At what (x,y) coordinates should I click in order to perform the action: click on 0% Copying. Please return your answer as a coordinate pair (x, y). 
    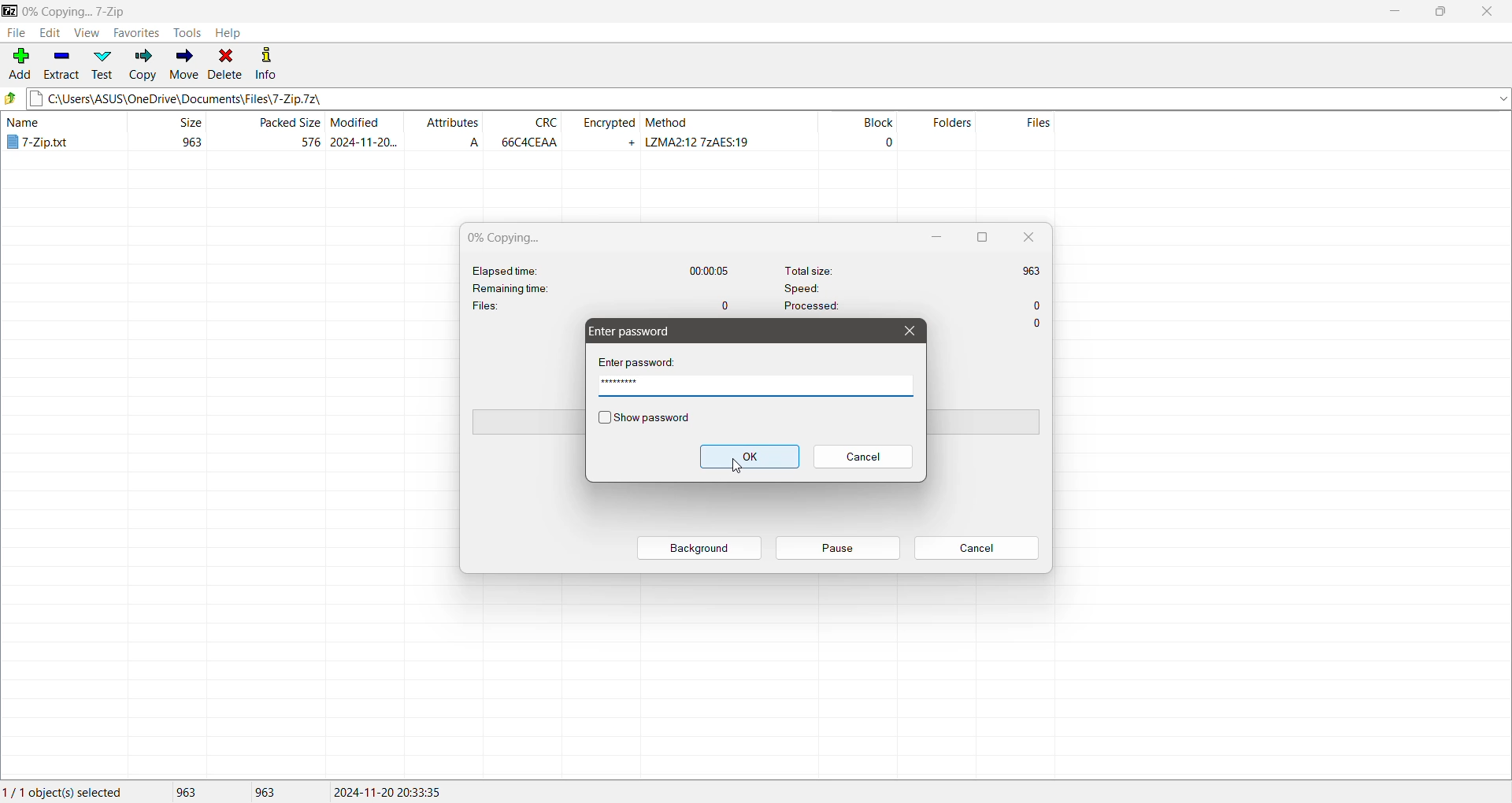
    Looking at the image, I should click on (512, 238).